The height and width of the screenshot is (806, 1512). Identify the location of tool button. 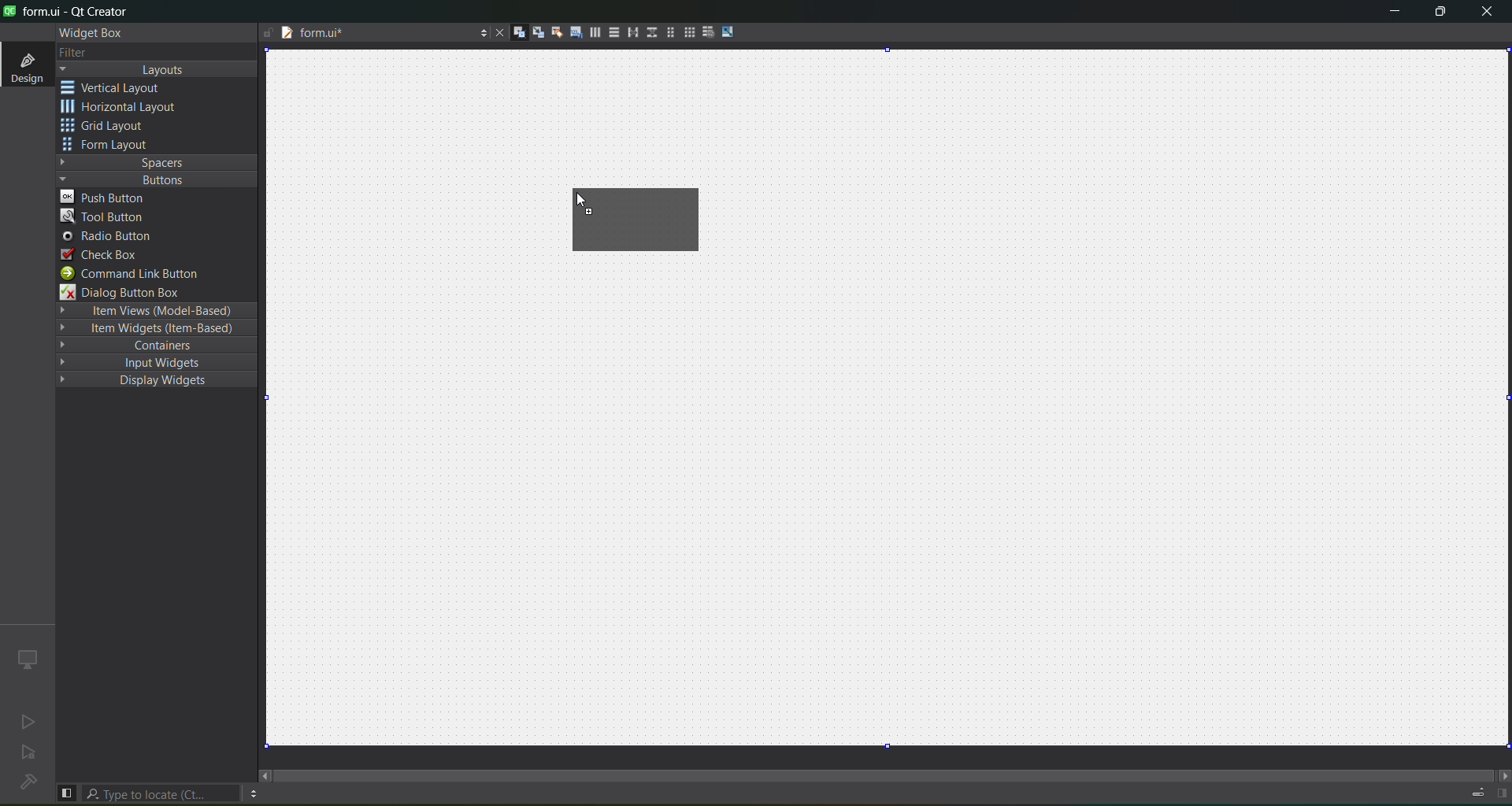
(104, 218).